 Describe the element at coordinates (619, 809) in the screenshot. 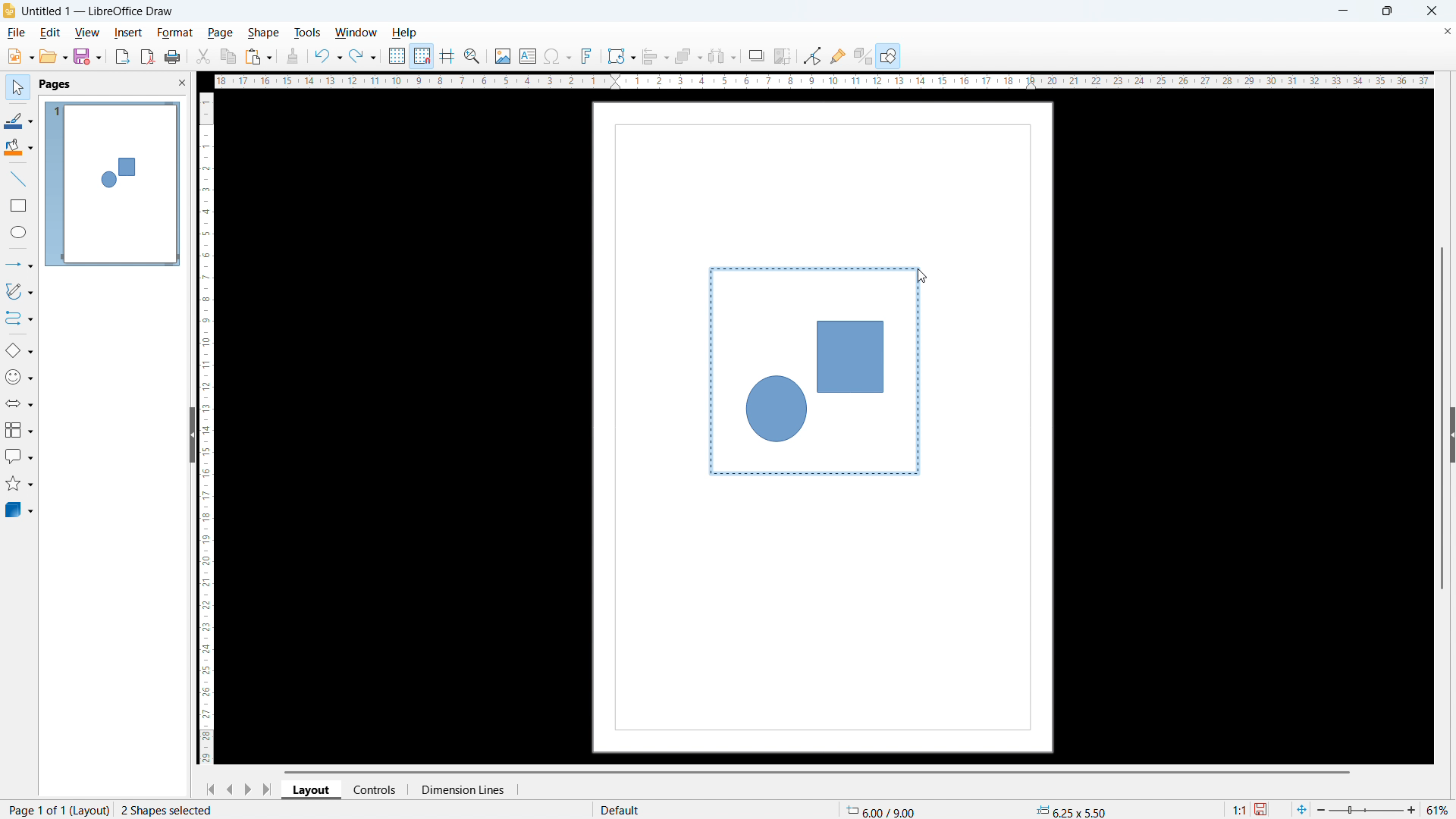

I see `default page display` at that location.